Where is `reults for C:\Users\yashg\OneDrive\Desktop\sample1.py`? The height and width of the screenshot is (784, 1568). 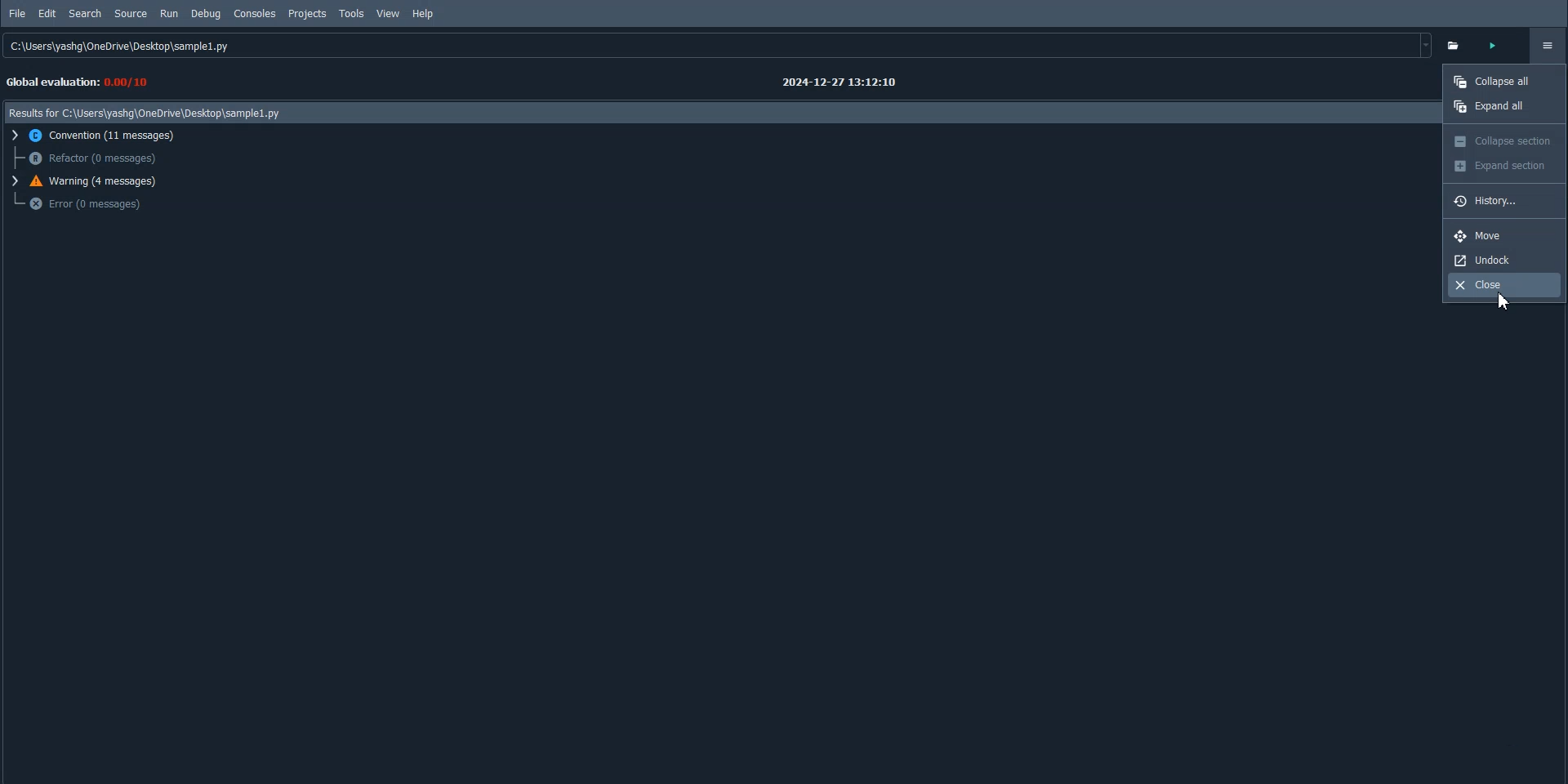
reults for C:\Users\yashg\OneDrive\Desktop\sample1.py is located at coordinates (150, 112).